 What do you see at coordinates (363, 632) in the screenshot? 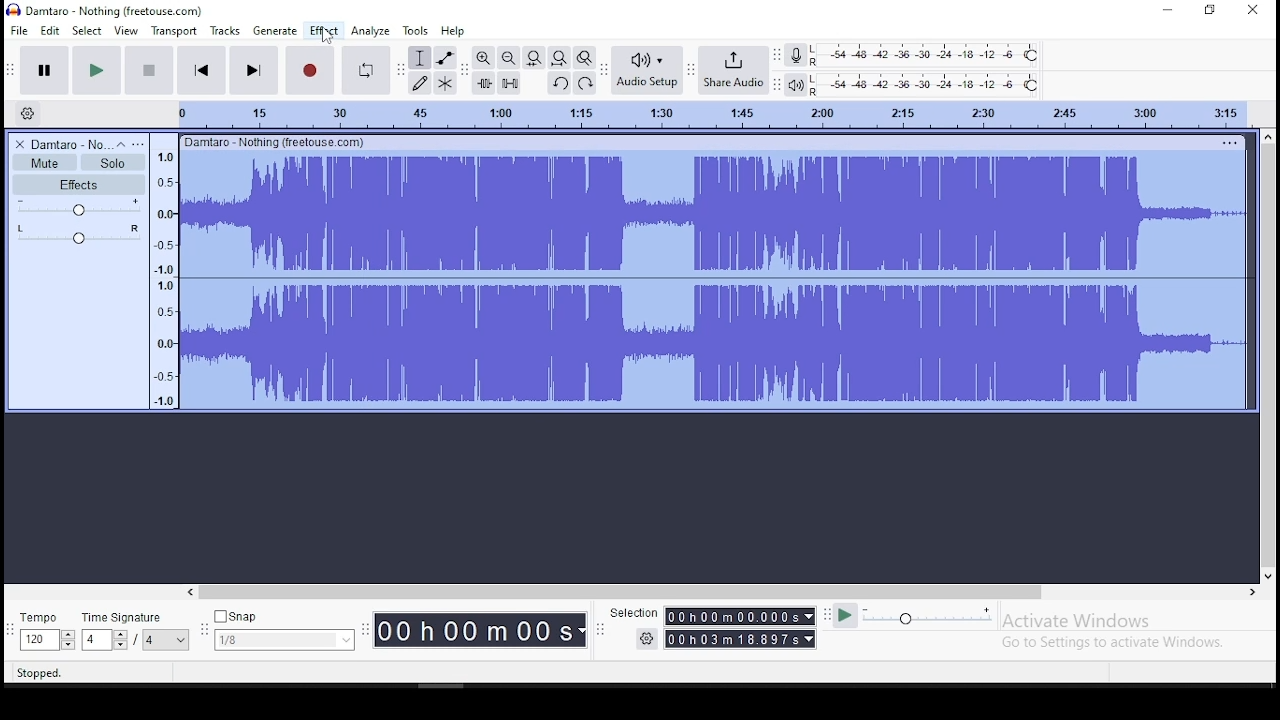
I see `` at bounding box center [363, 632].